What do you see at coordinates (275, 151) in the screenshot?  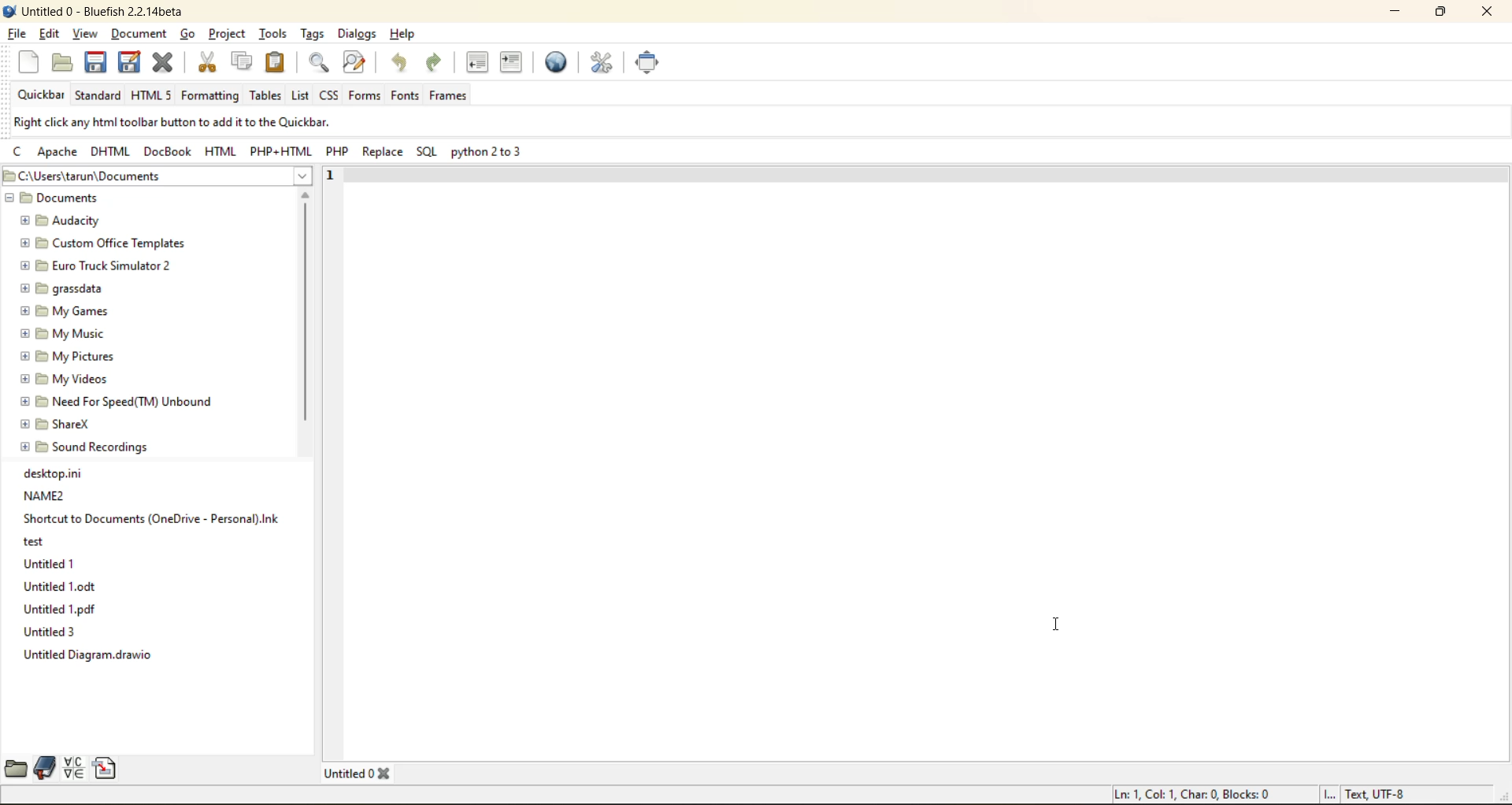 I see `php html` at bounding box center [275, 151].